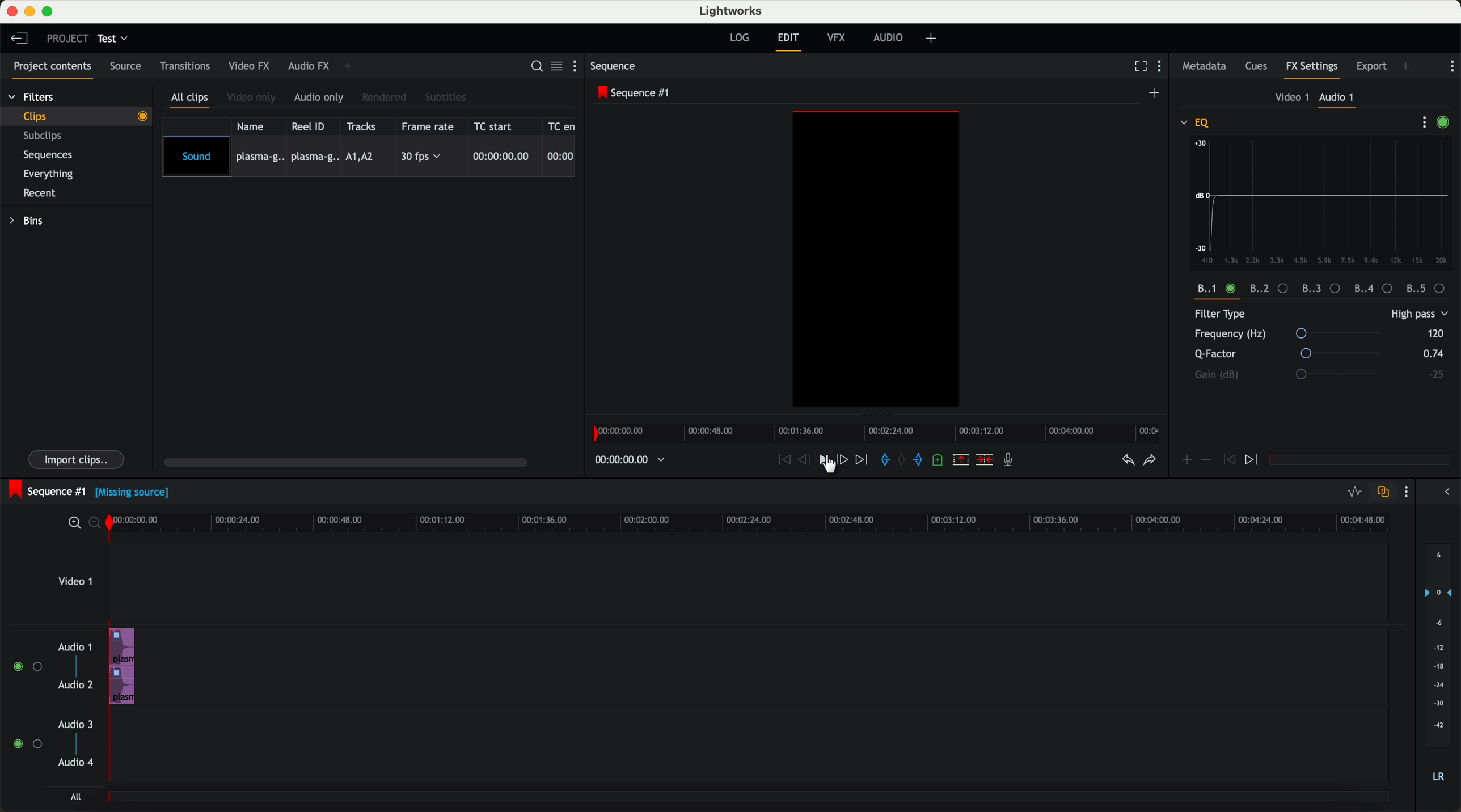 The image size is (1461, 812). I want to click on timeline, so click(758, 523).